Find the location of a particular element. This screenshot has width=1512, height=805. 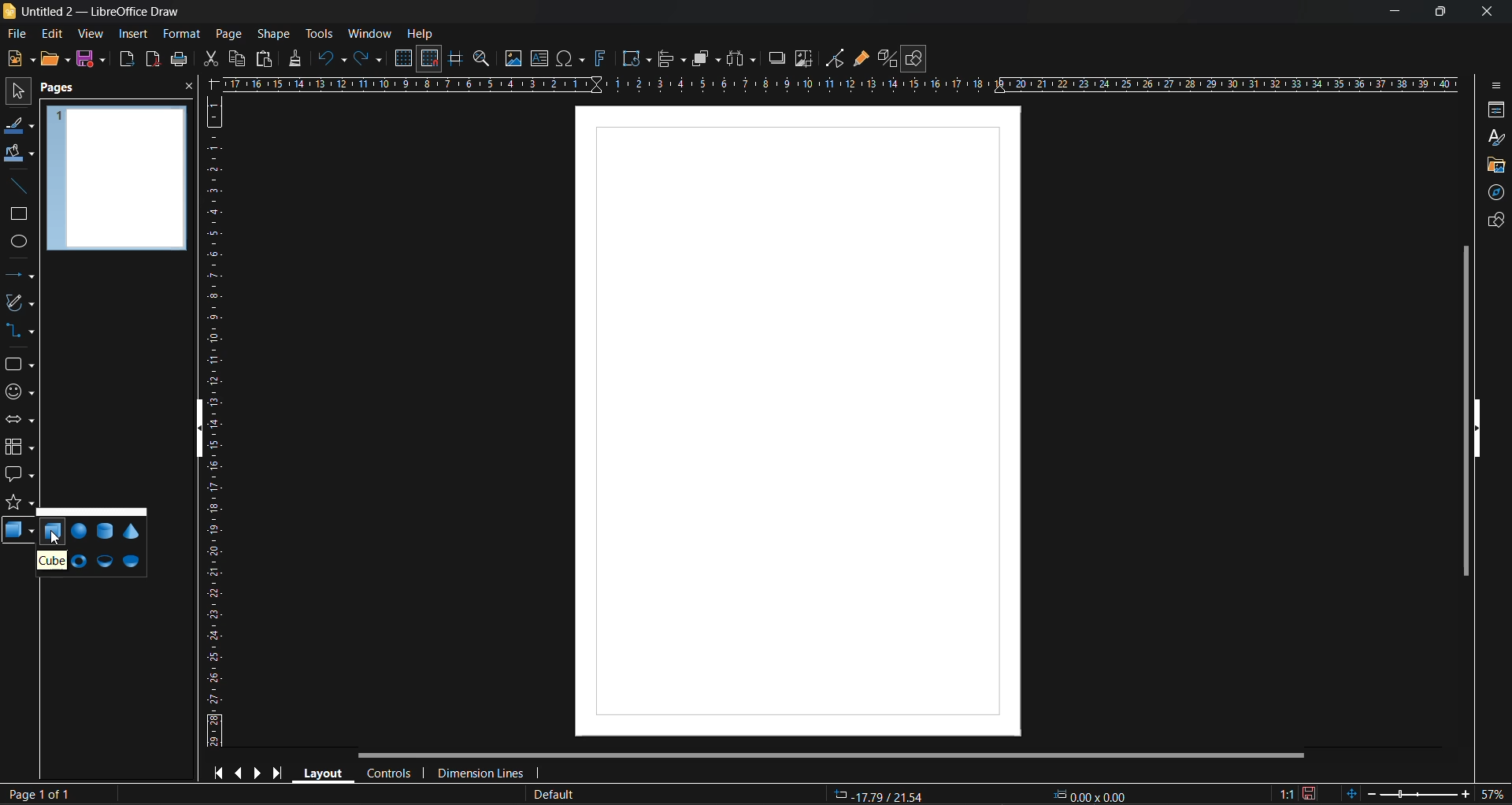

navigator is located at coordinates (1498, 195).